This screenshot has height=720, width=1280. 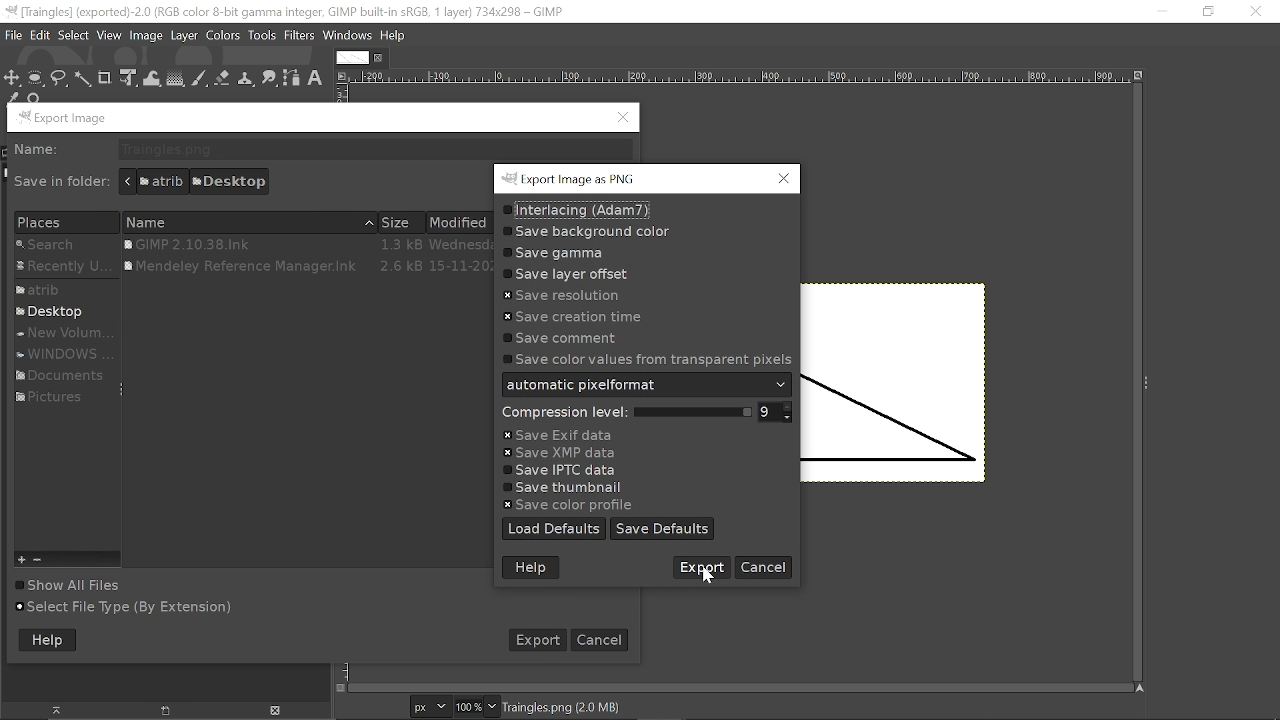 What do you see at coordinates (12, 98) in the screenshot?
I see `Color picker tool` at bounding box center [12, 98].